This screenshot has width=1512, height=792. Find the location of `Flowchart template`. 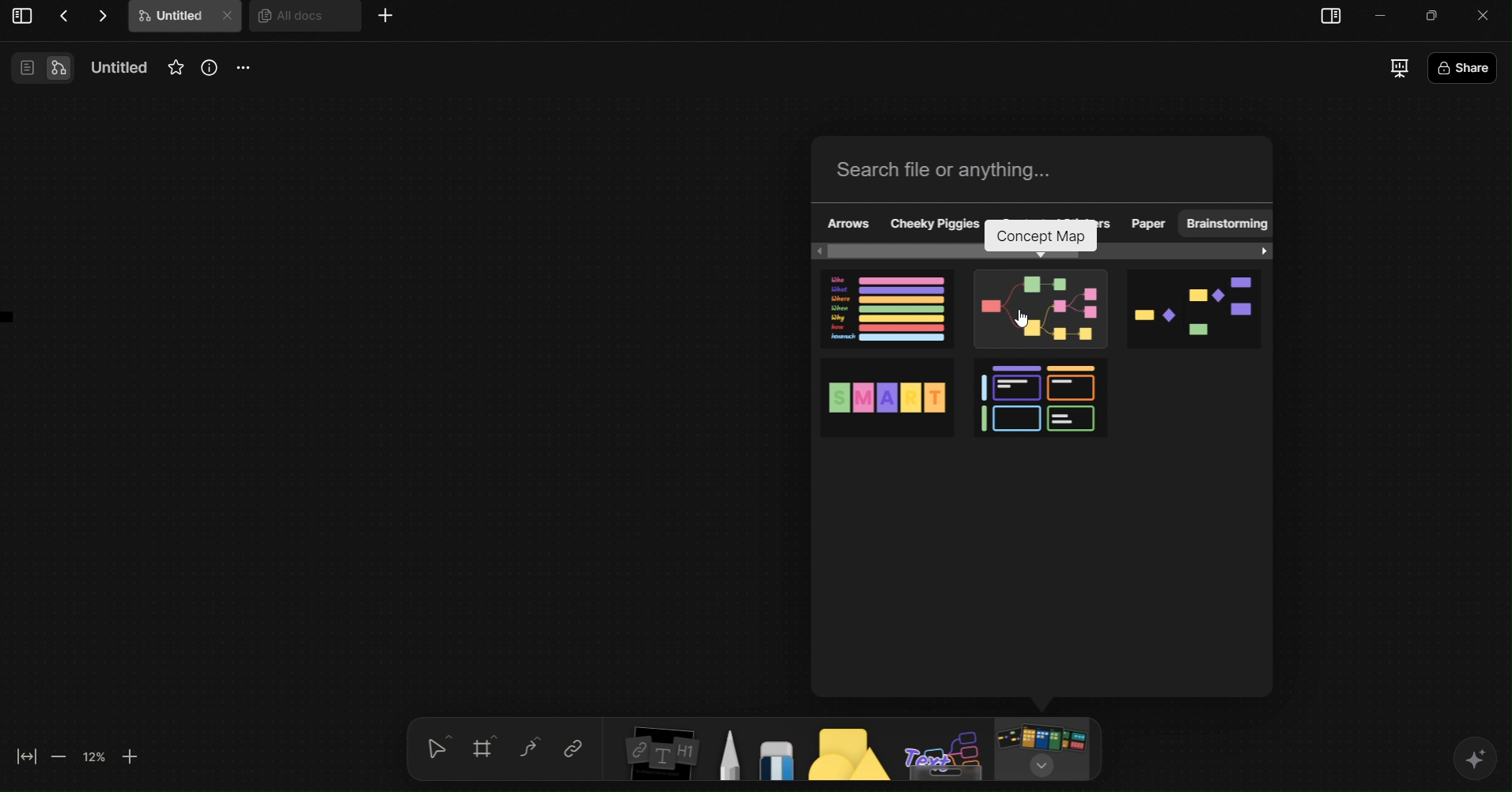

Flowchart template is located at coordinates (1203, 312).